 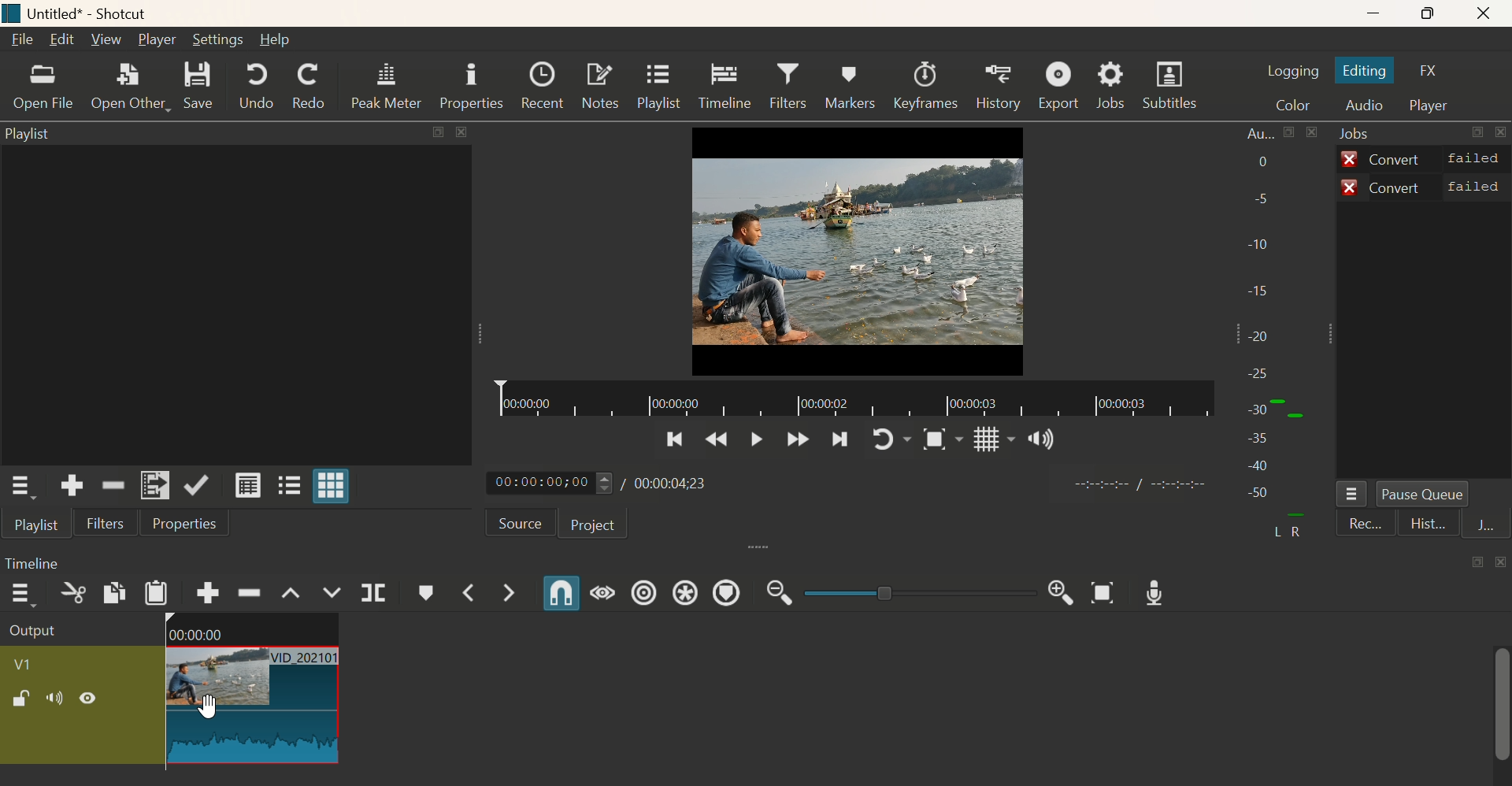 I want to click on Setting, so click(x=221, y=40).